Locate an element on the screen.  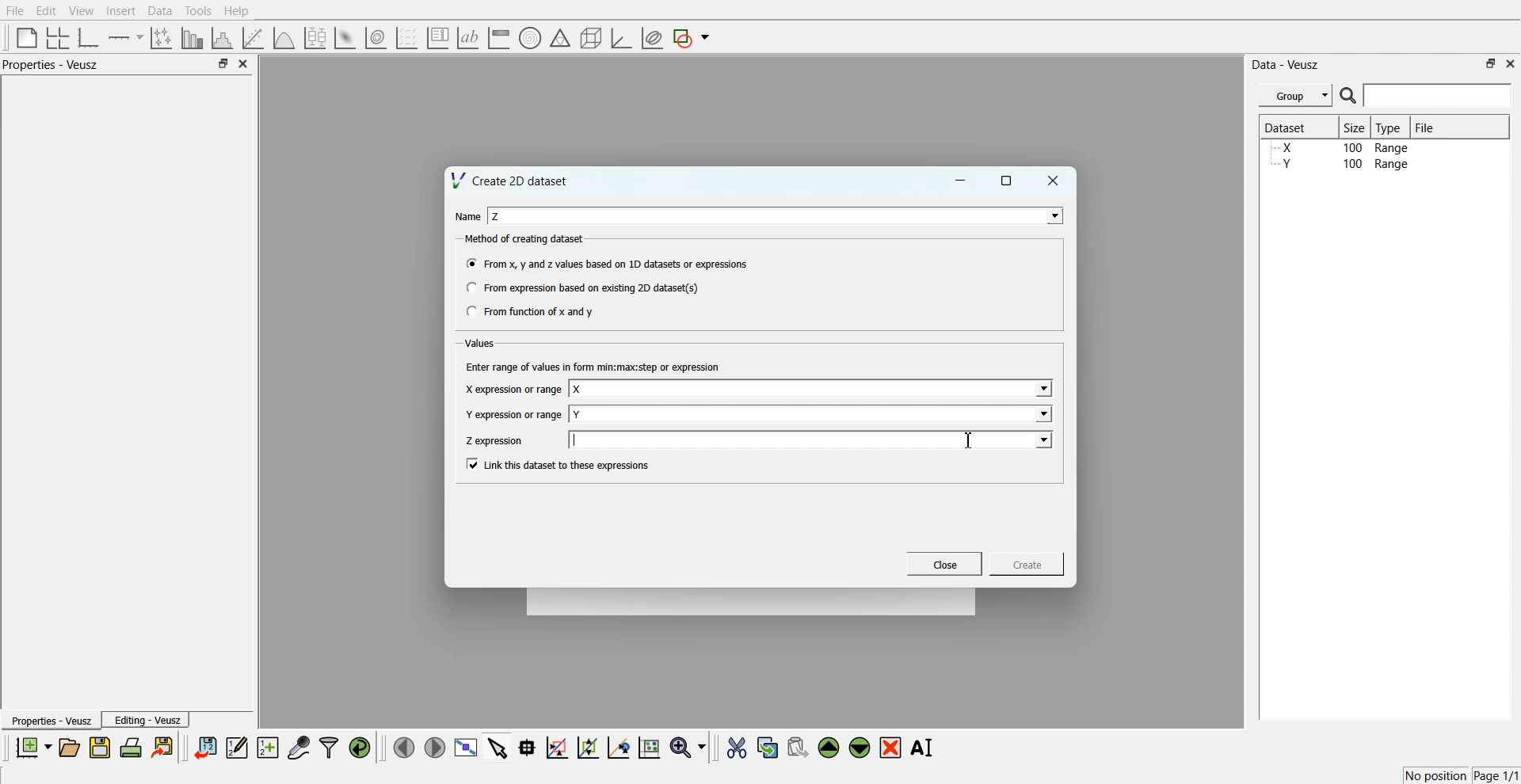
Help is located at coordinates (237, 11).